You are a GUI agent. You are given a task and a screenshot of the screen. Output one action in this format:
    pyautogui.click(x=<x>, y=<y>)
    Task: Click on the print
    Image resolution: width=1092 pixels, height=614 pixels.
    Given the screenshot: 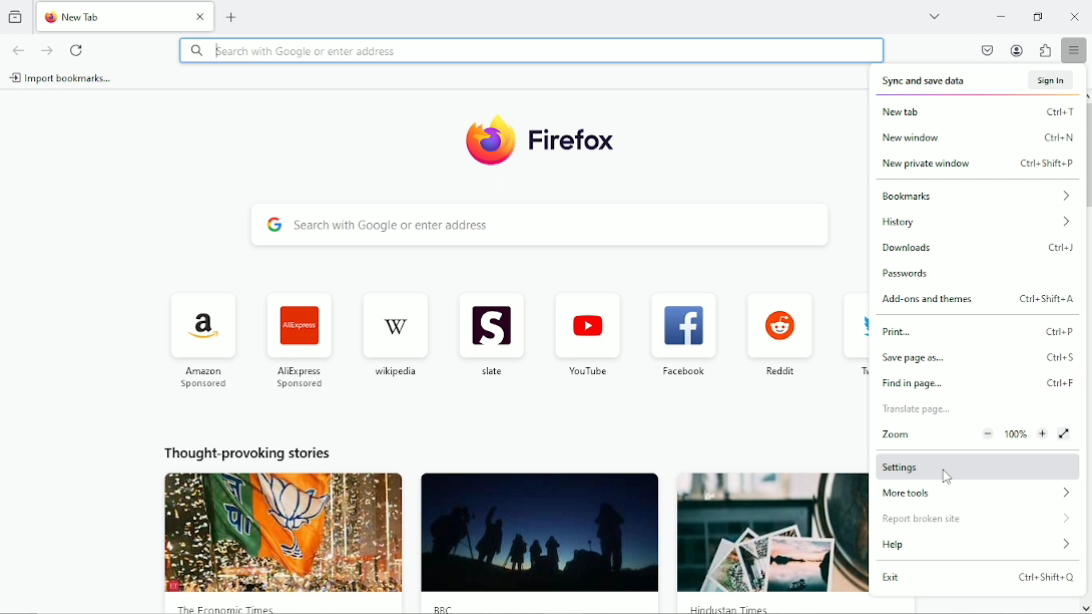 What is the action you would take?
    pyautogui.click(x=981, y=333)
    